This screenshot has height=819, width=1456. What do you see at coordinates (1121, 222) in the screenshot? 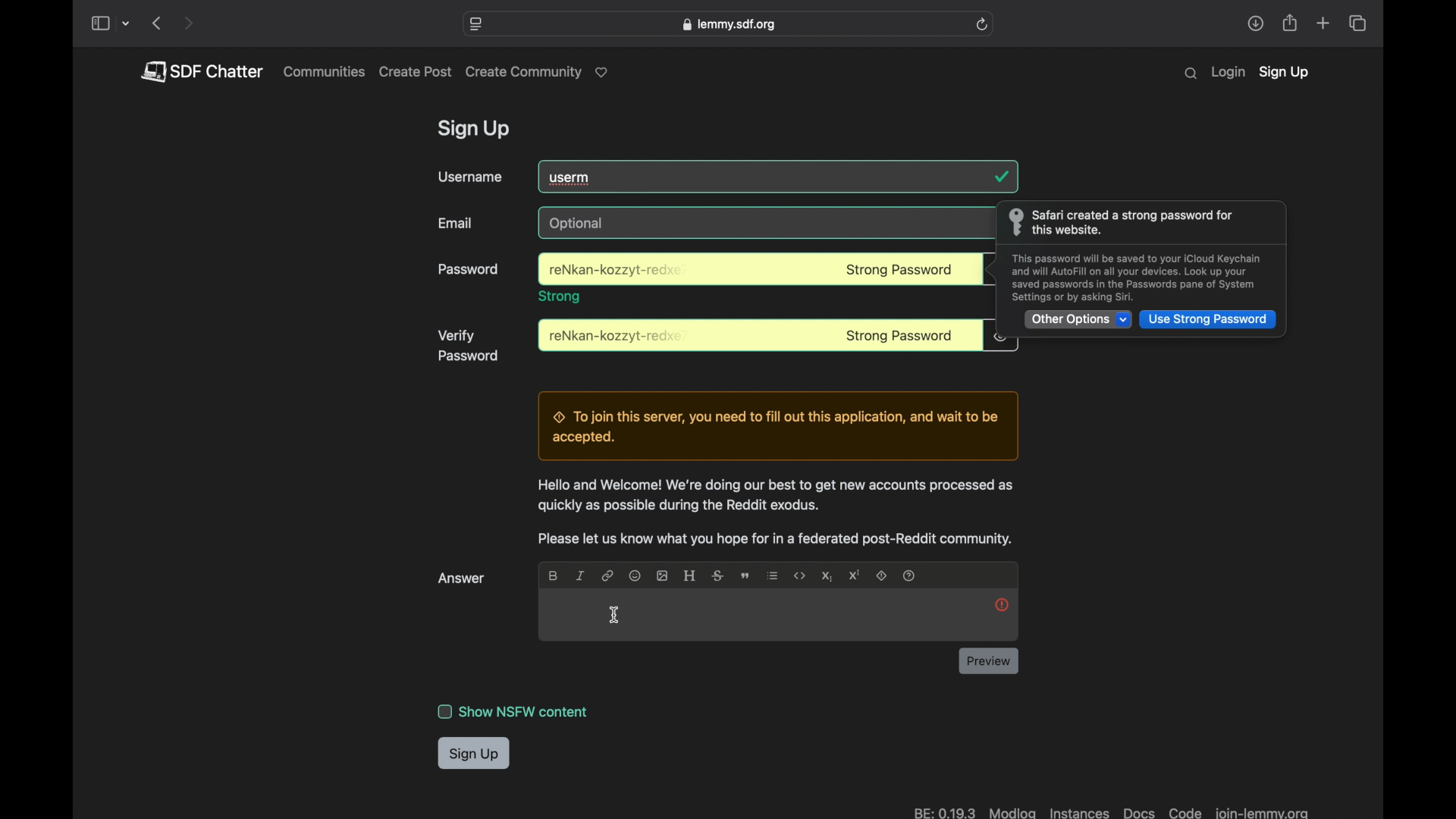
I see `info` at bounding box center [1121, 222].